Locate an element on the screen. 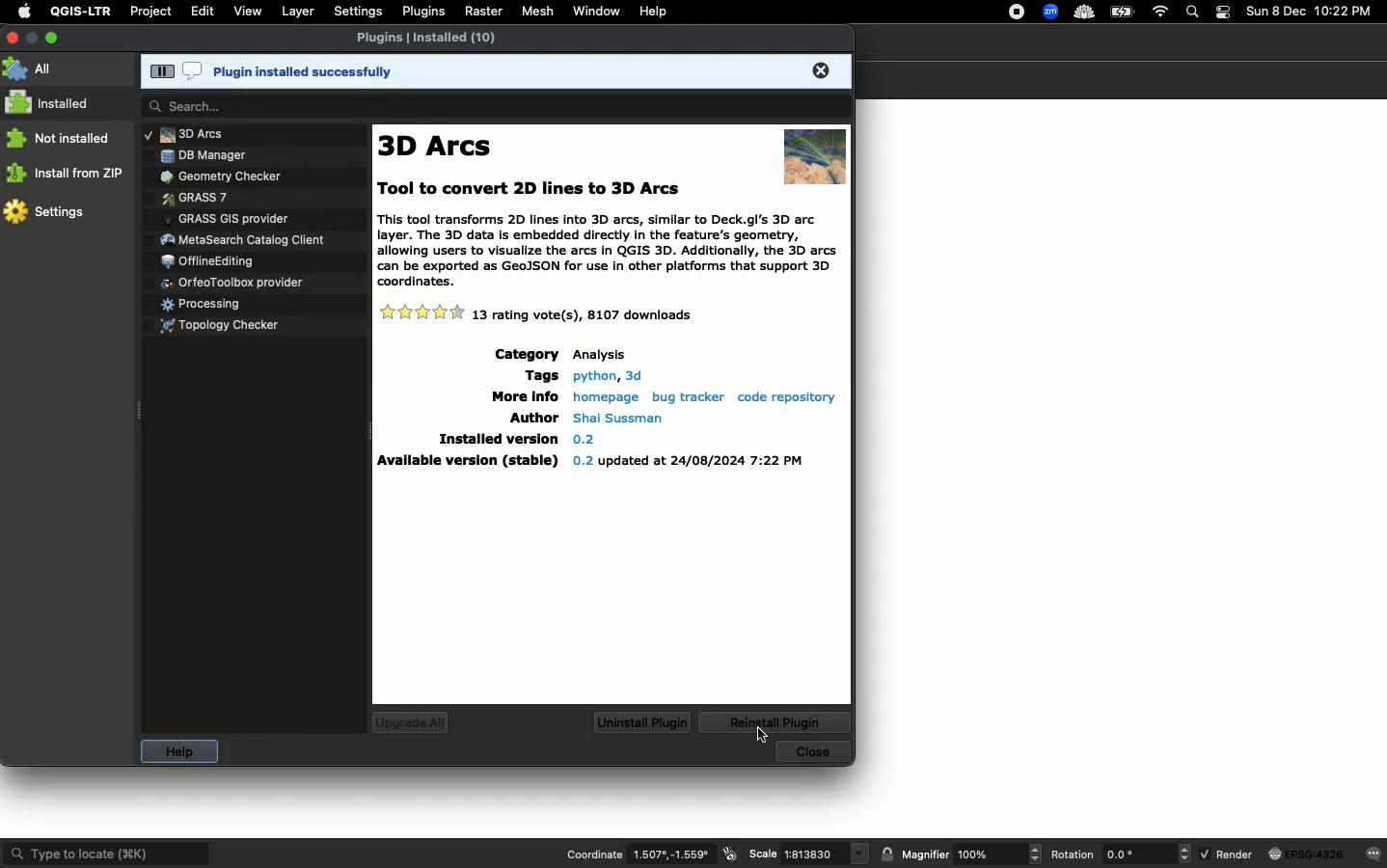 The height and width of the screenshot is (868, 1387). Uninstall plugin is located at coordinates (641, 723).